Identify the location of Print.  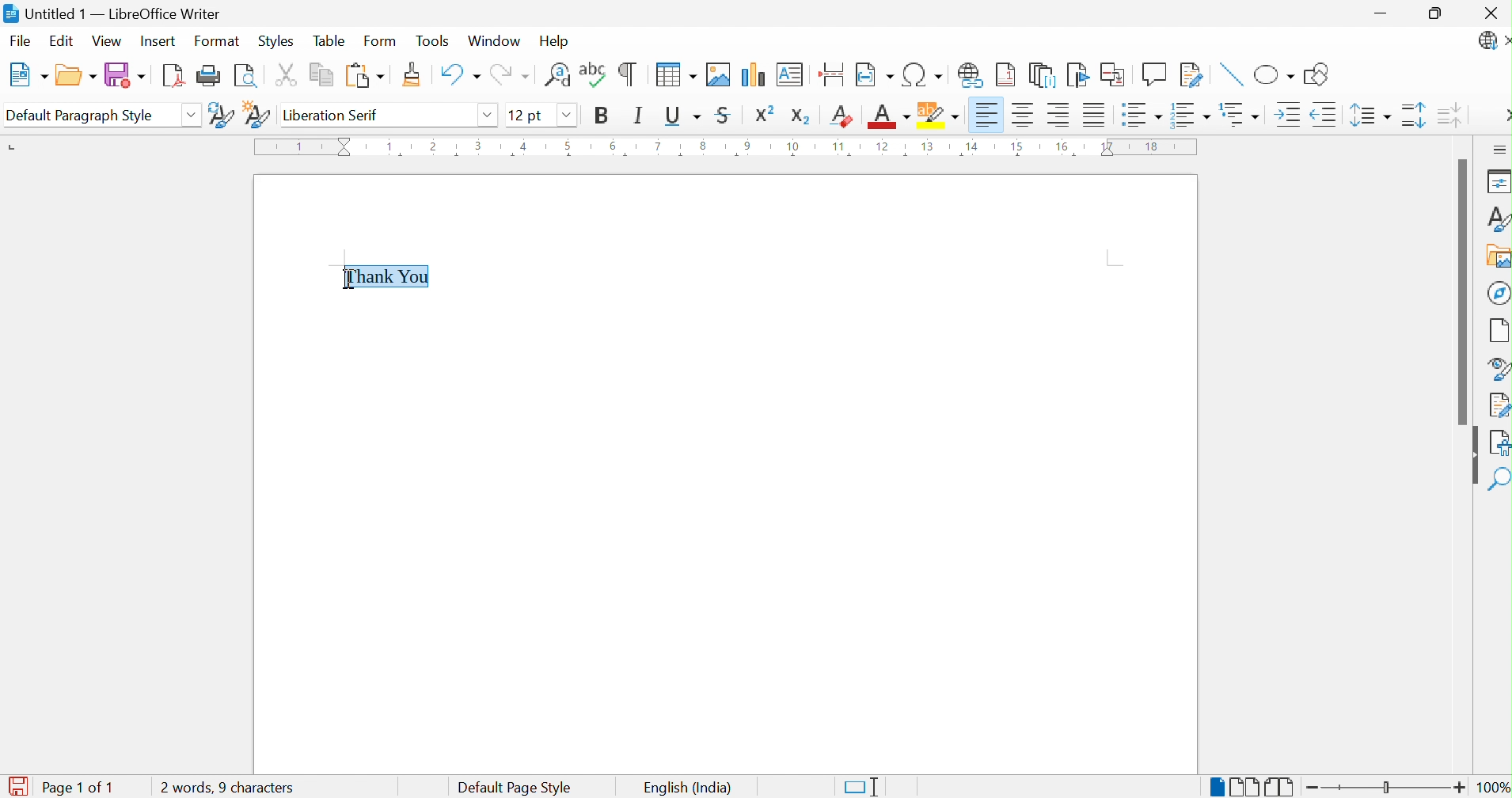
(208, 75).